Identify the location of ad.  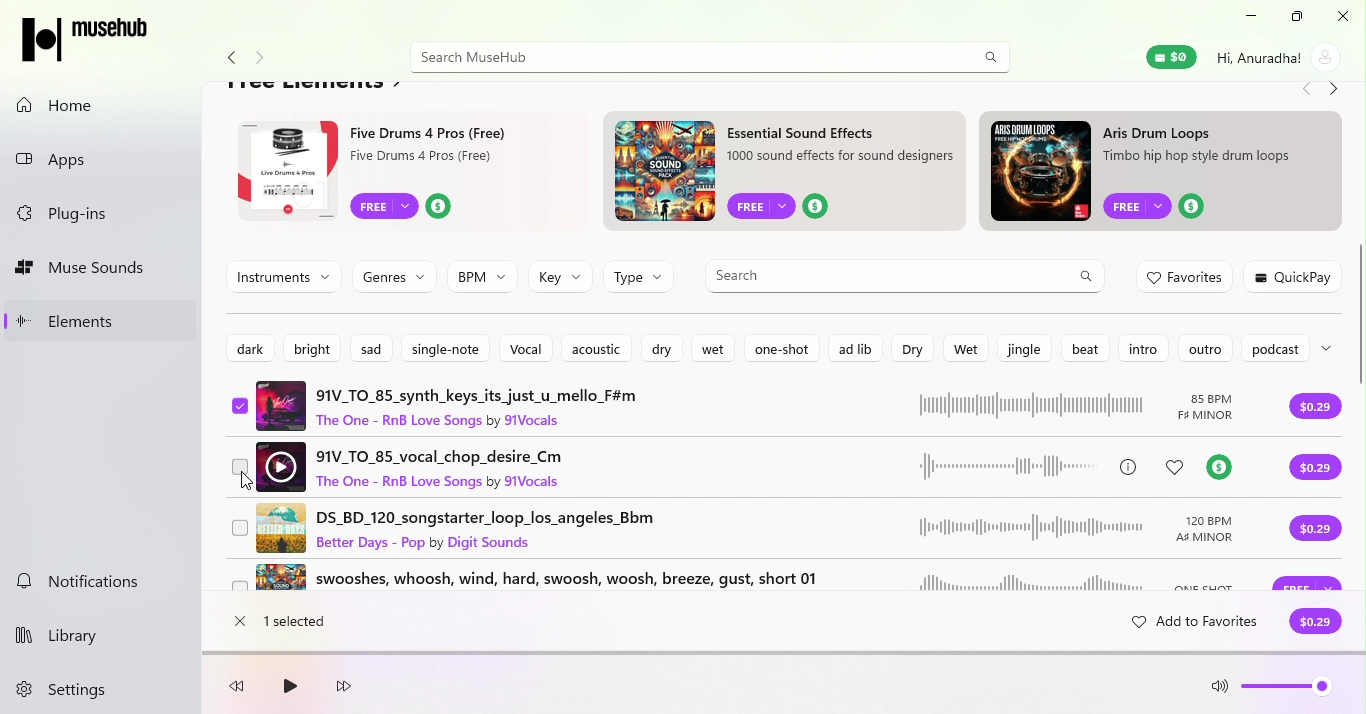
(1166, 172).